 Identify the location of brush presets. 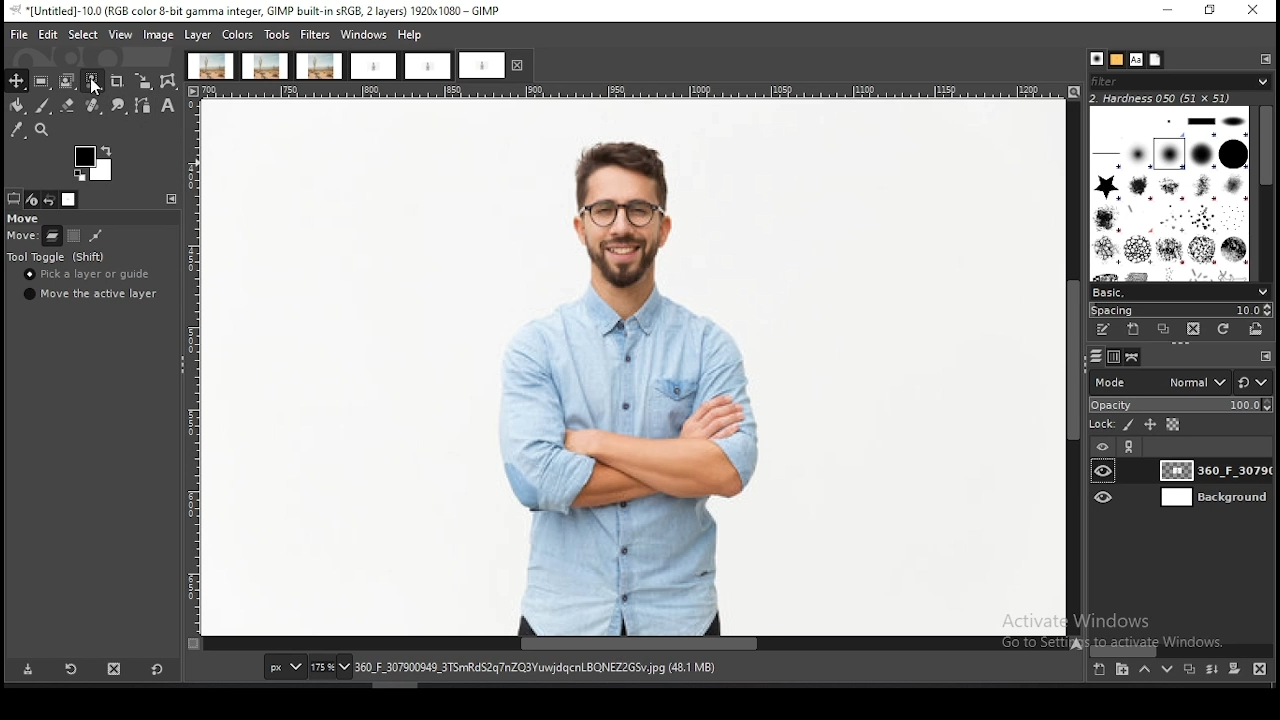
(1179, 293).